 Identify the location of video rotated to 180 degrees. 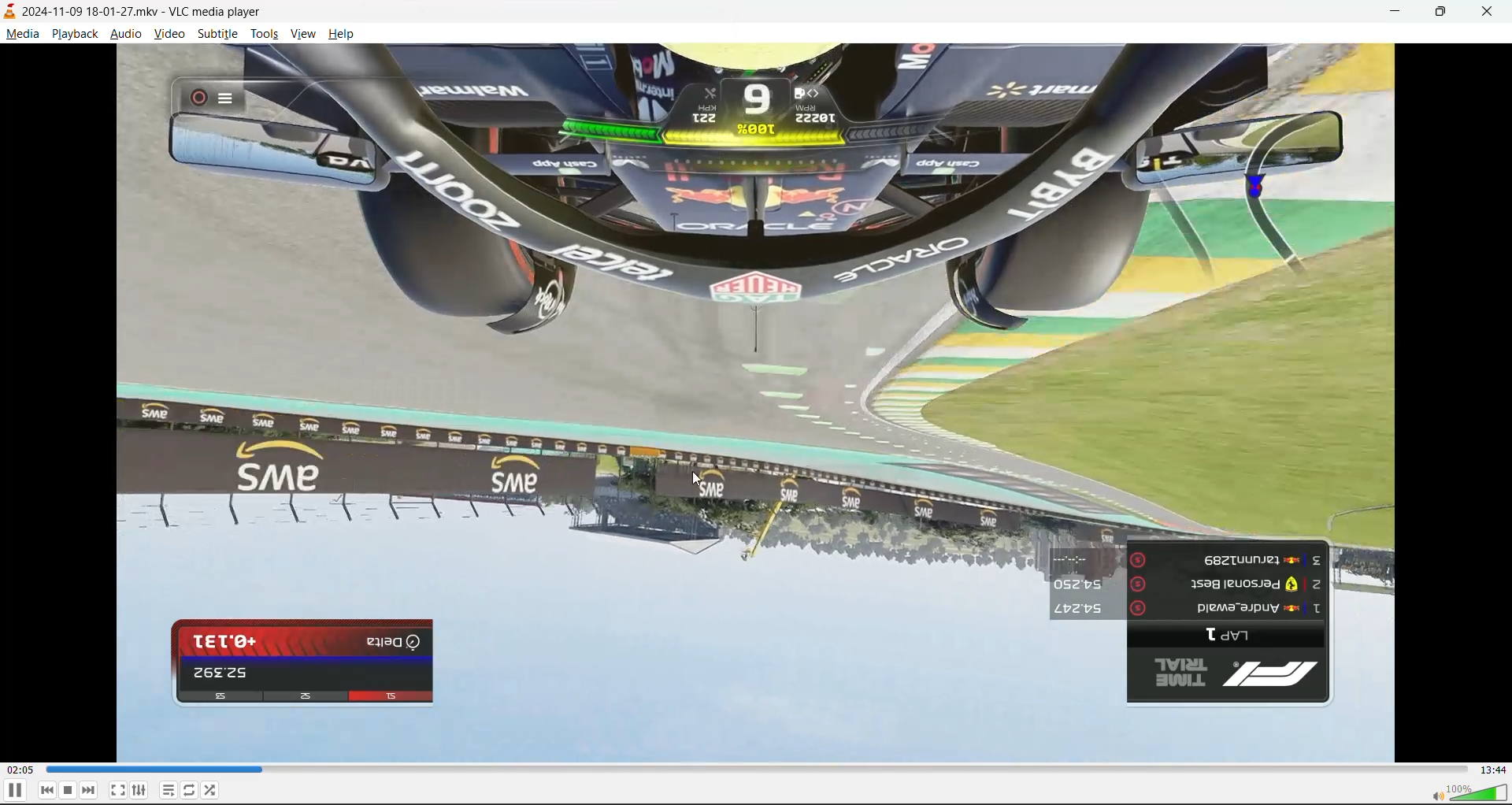
(763, 406).